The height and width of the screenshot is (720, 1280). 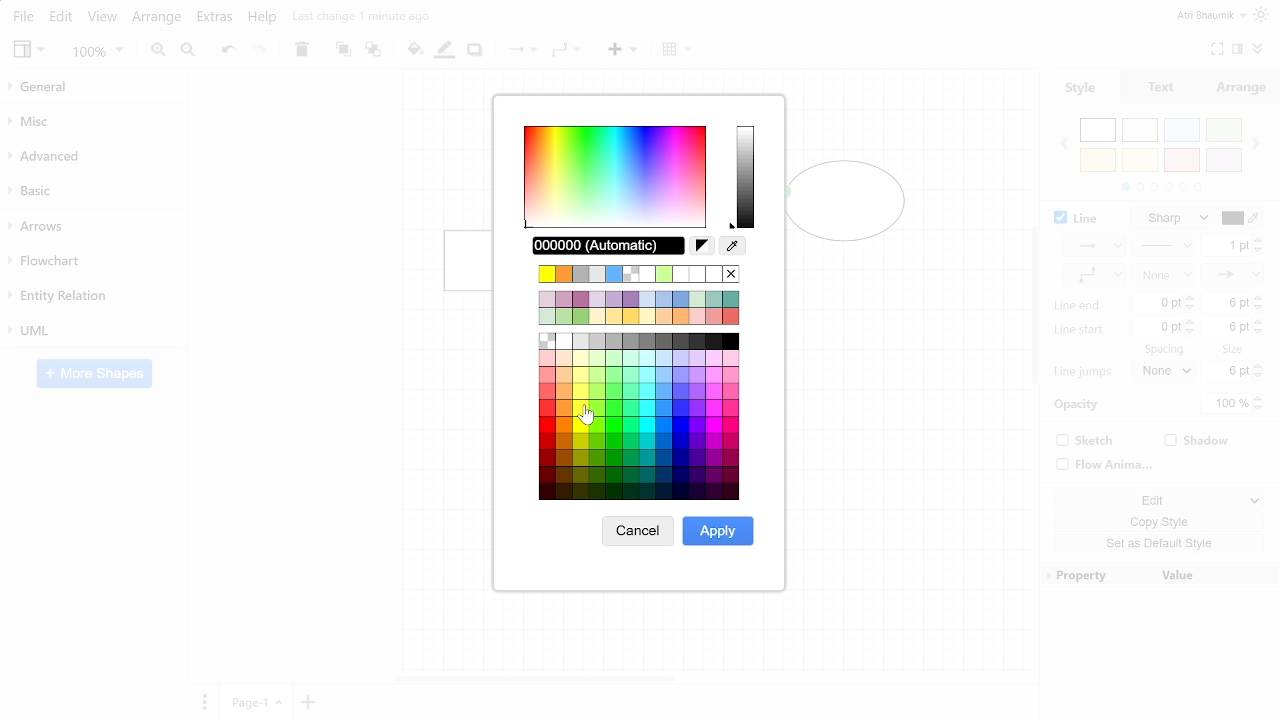 I want to click on Apply, so click(x=720, y=531).